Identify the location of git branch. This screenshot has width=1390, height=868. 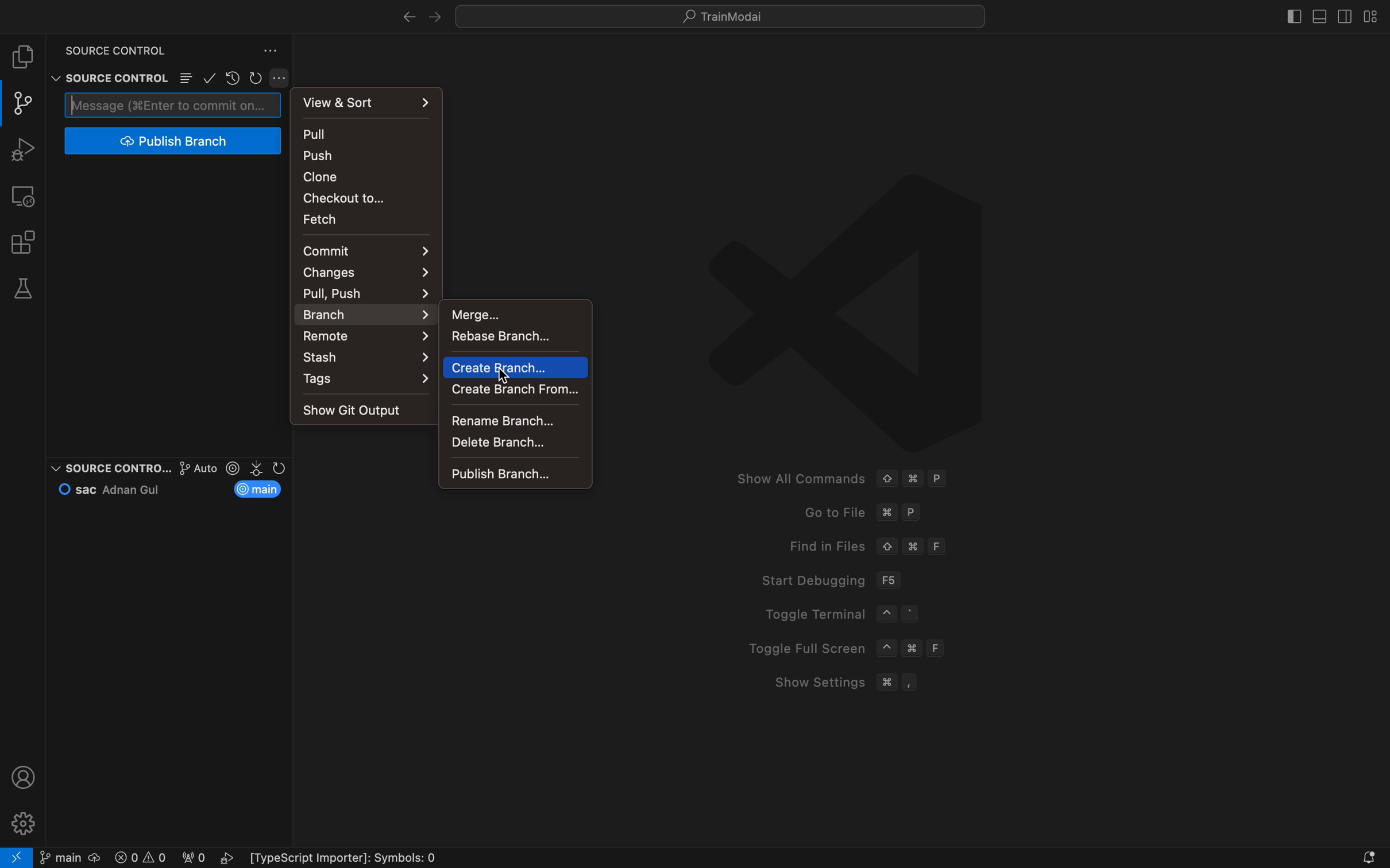
(69, 857).